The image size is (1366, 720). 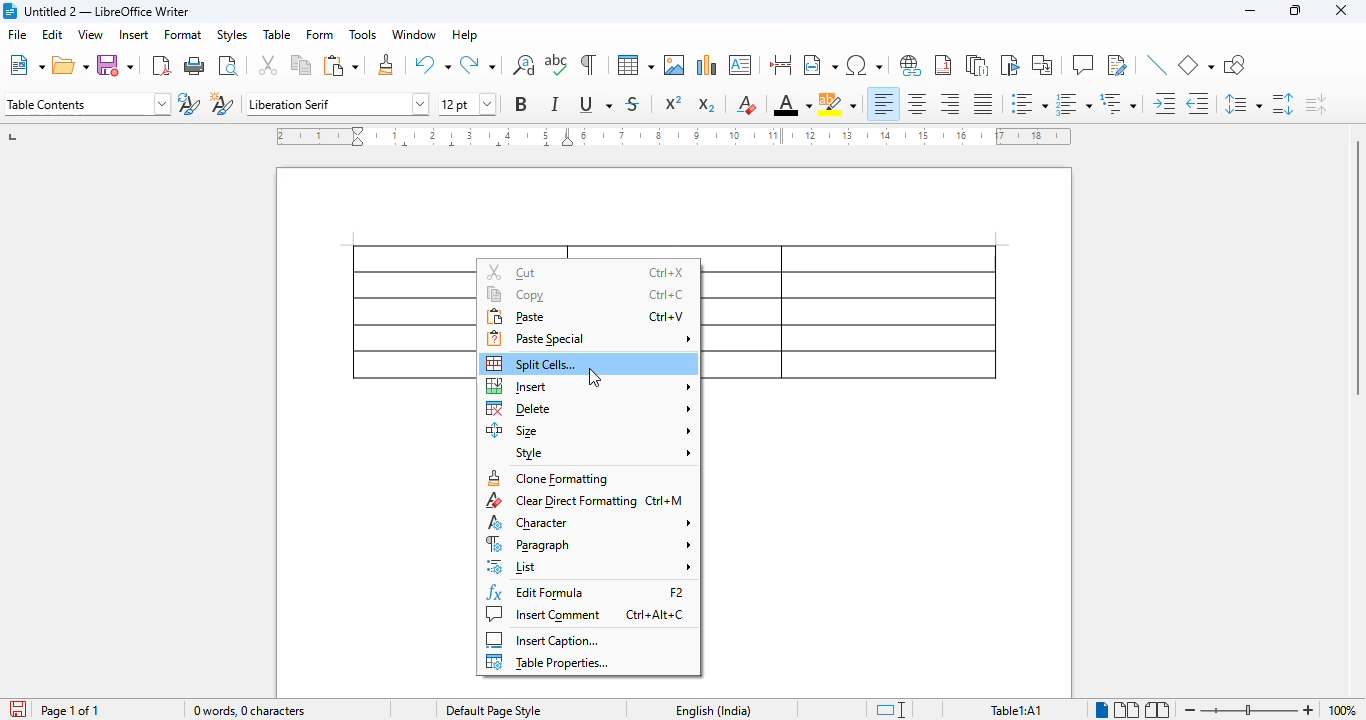 I want to click on toggle print preview, so click(x=227, y=66).